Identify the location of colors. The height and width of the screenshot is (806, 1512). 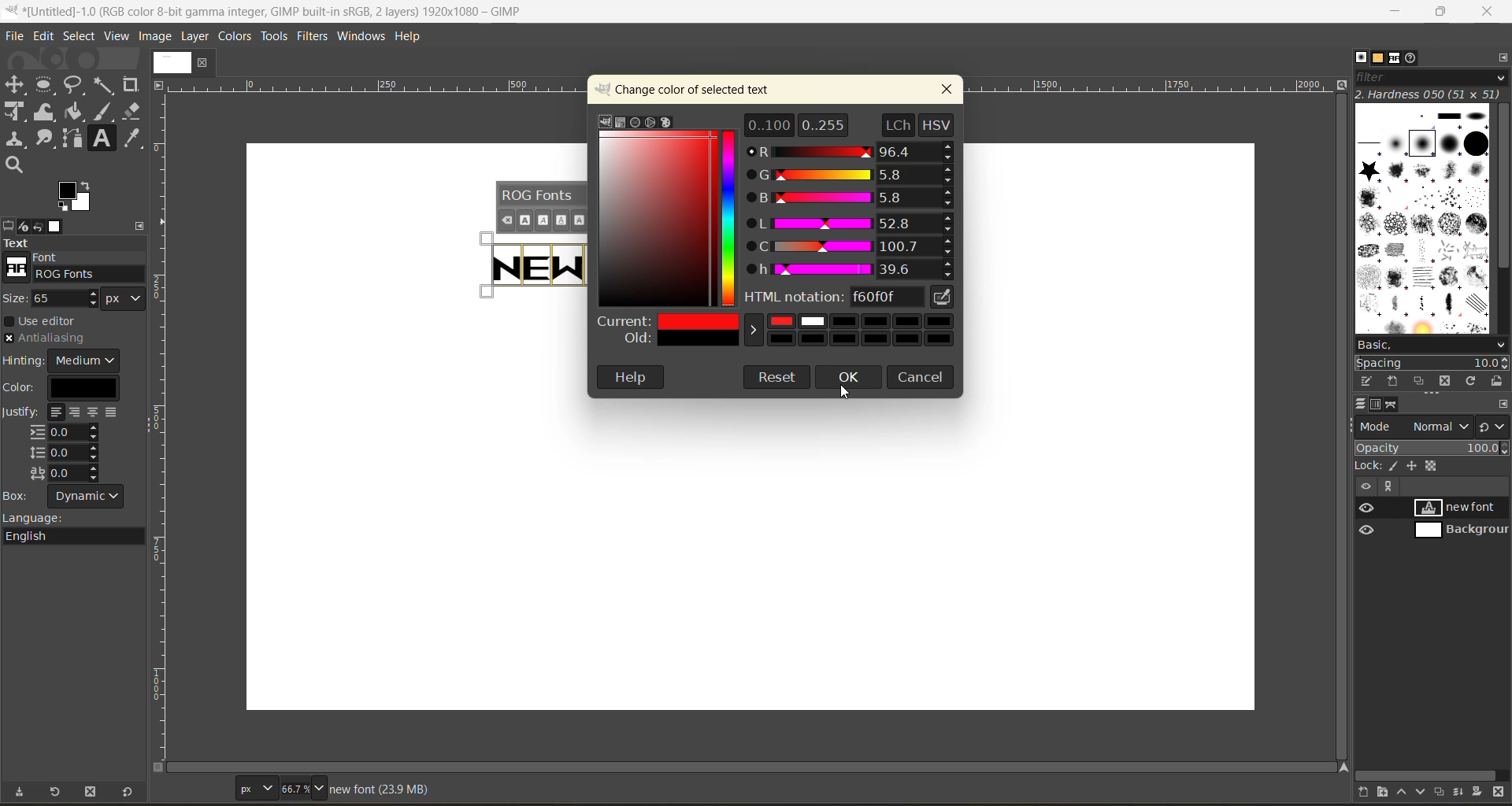
(232, 36).